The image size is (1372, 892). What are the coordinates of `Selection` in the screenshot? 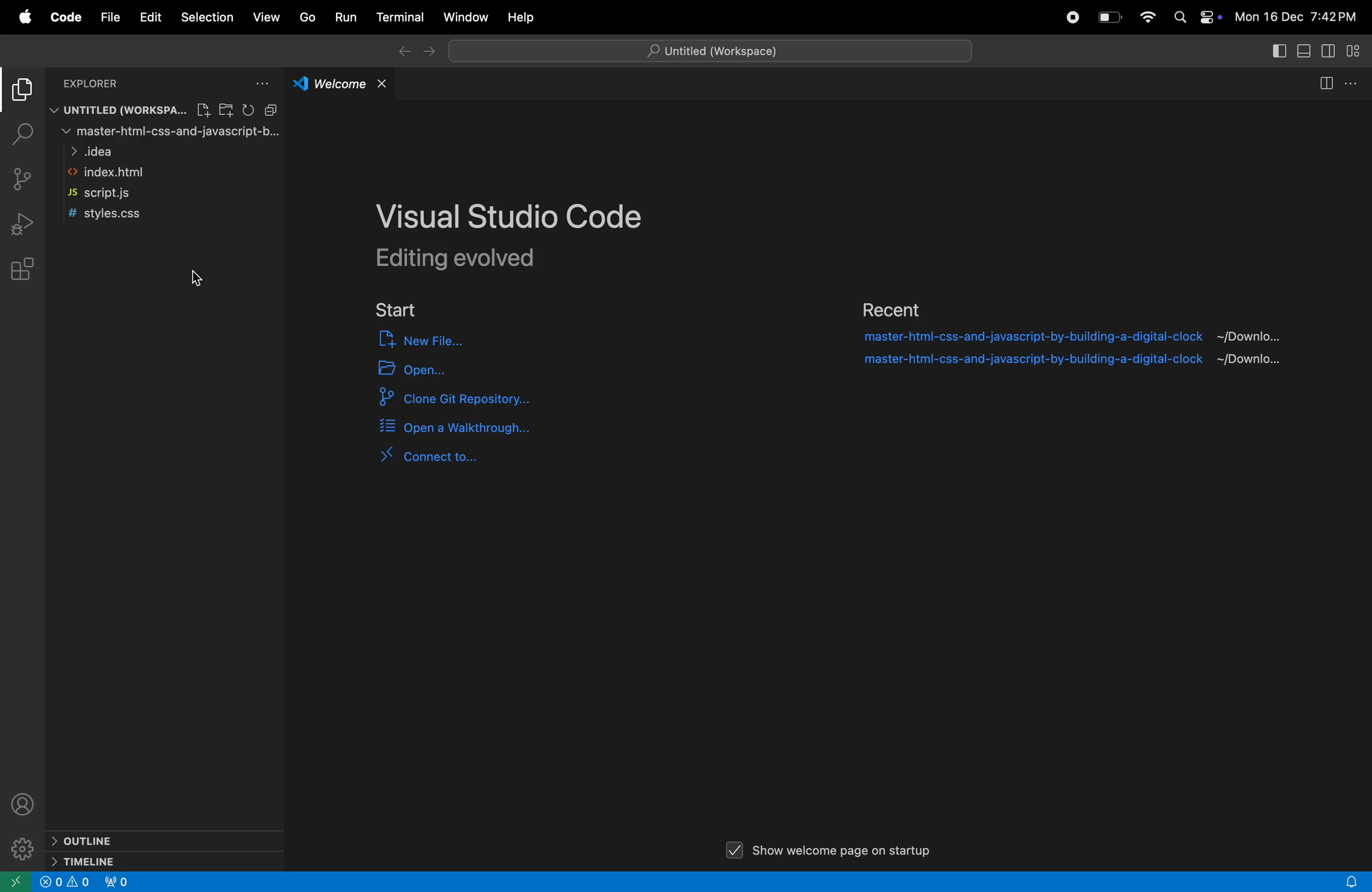 It's located at (207, 17).